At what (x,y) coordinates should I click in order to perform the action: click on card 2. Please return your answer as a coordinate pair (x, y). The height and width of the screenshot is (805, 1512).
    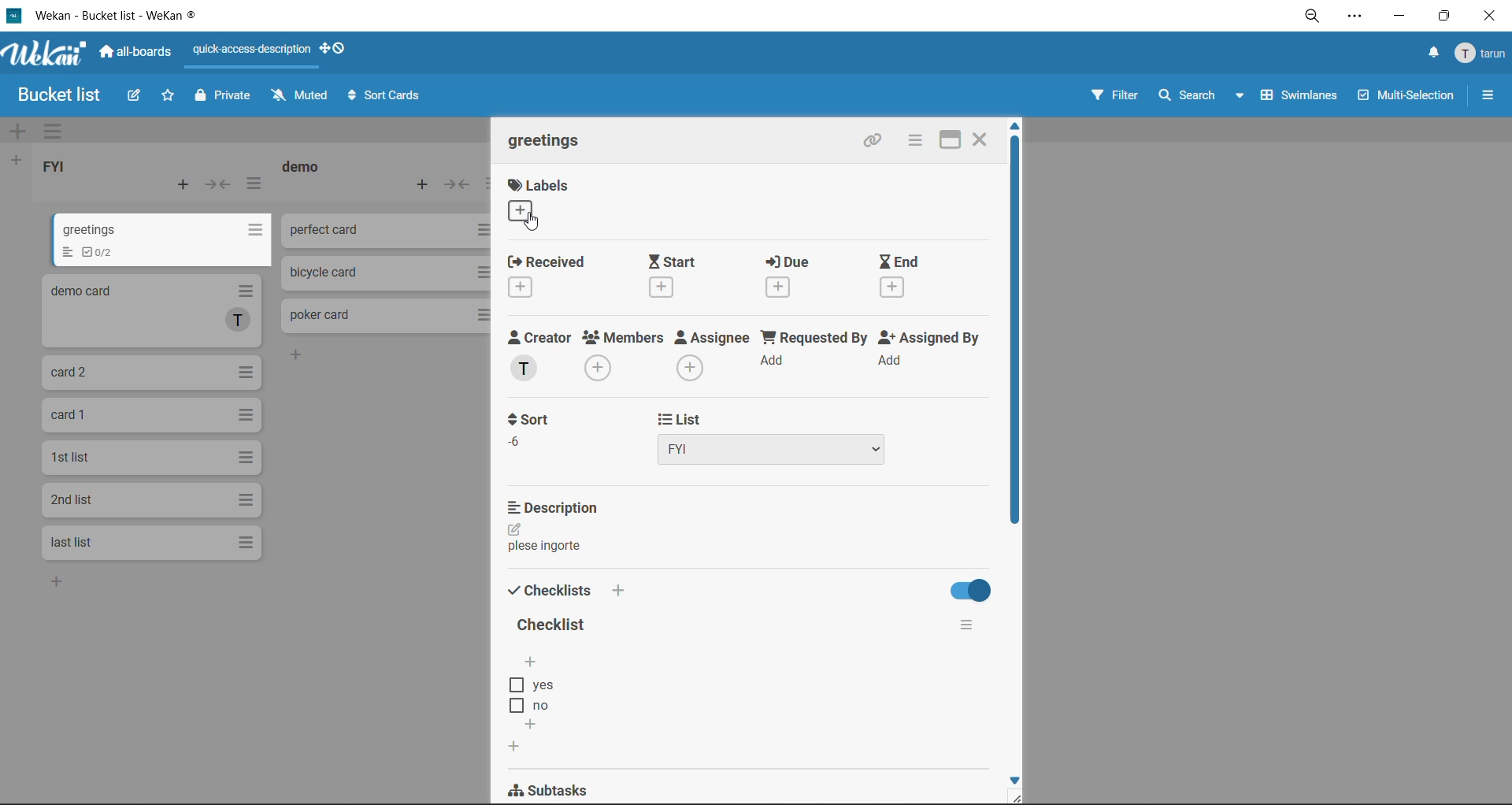
    Looking at the image, I should click on (150, 311).